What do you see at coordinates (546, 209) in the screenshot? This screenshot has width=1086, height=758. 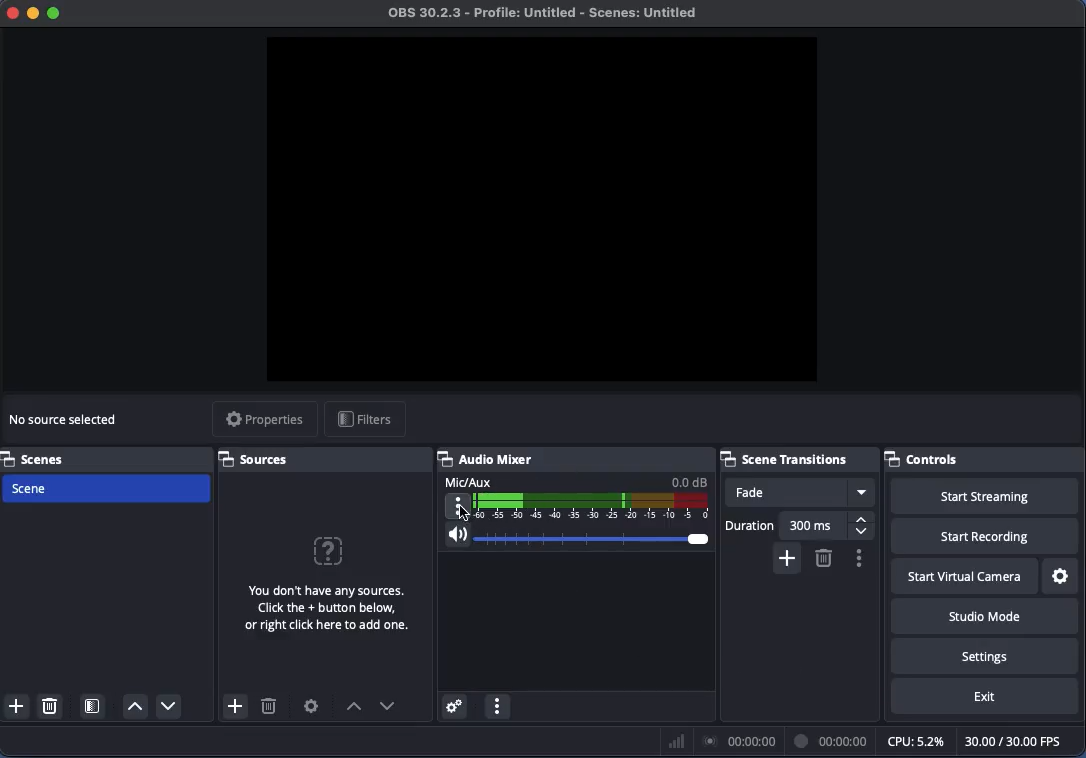 I see `Screen` at bounding box center [546, 209].